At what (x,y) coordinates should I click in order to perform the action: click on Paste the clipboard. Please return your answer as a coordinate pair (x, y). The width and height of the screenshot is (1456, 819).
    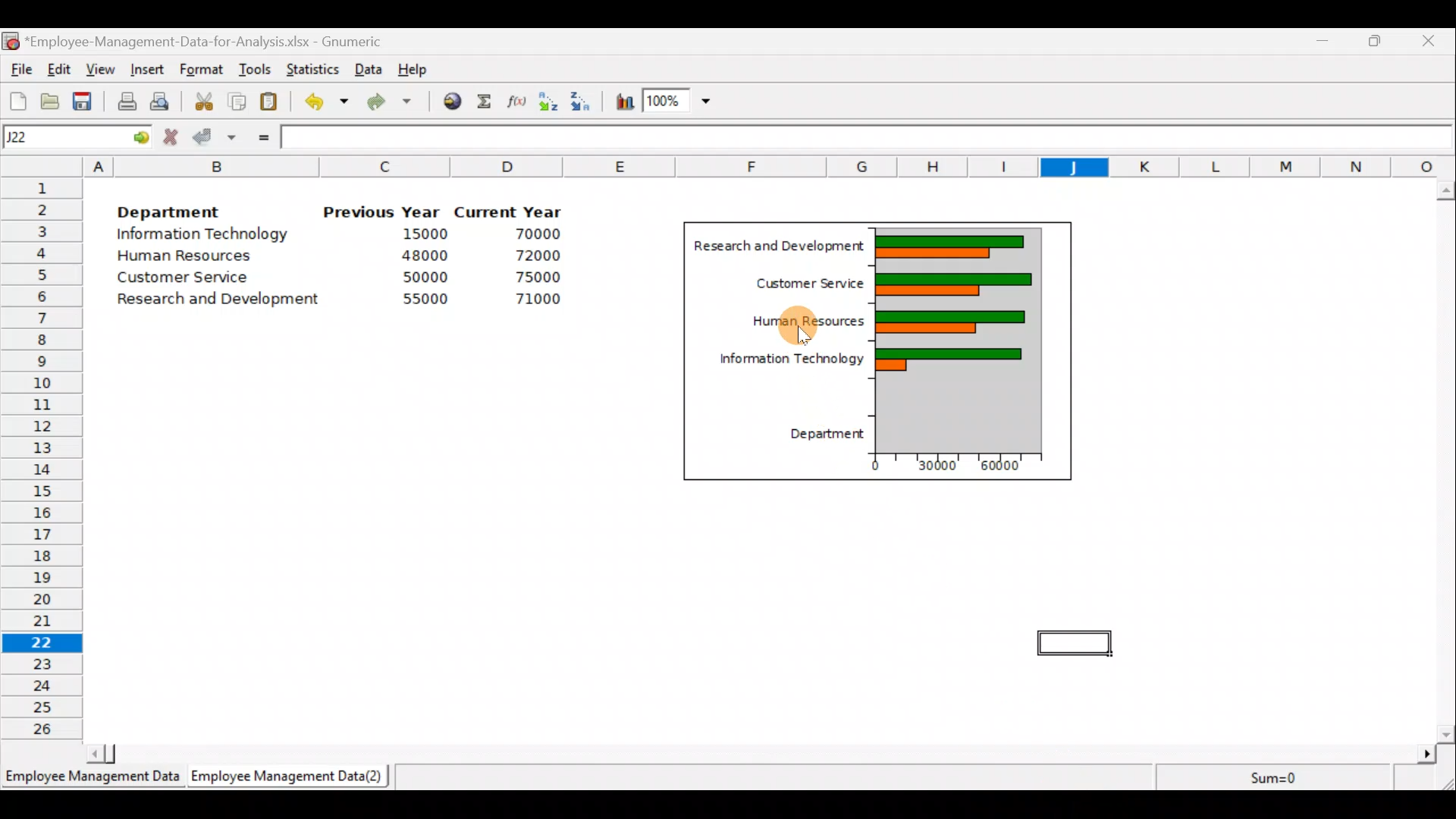
    Looking at the image, I should click on (273, 103).